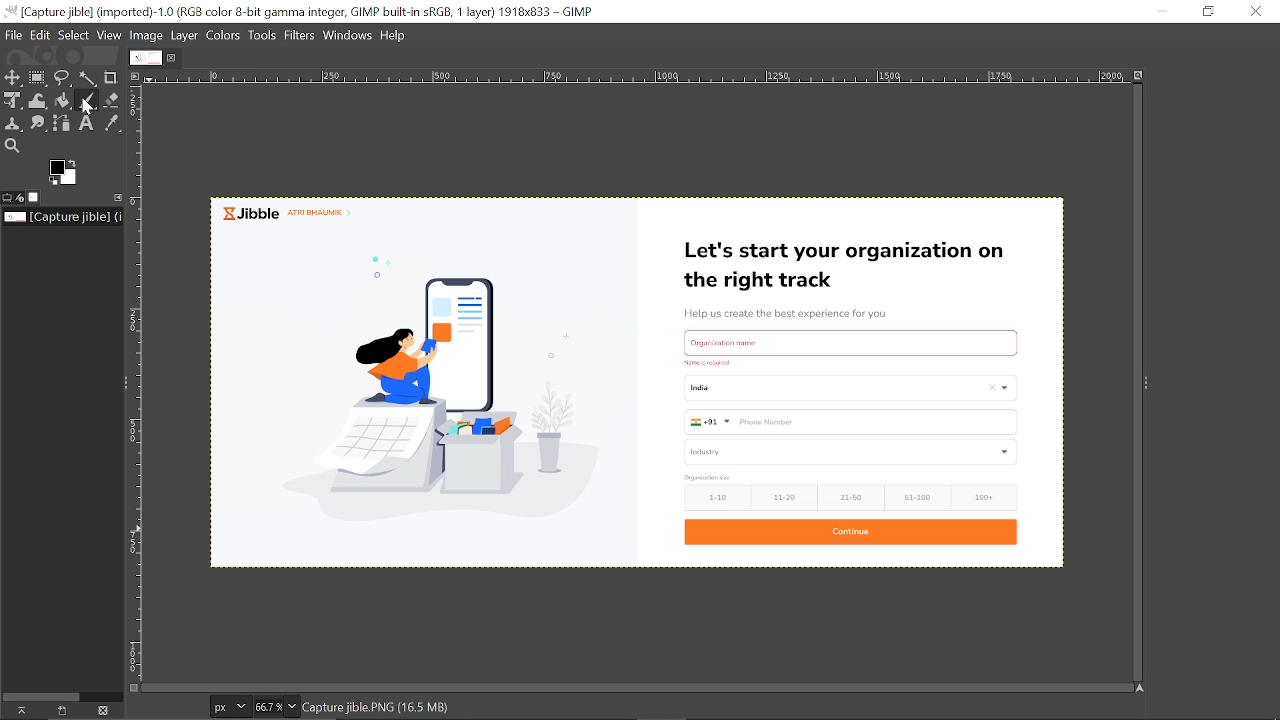  What do you see at coordinates (141, 390) in the screenshot?
I see `Scale` at bounding box center [141, 390].